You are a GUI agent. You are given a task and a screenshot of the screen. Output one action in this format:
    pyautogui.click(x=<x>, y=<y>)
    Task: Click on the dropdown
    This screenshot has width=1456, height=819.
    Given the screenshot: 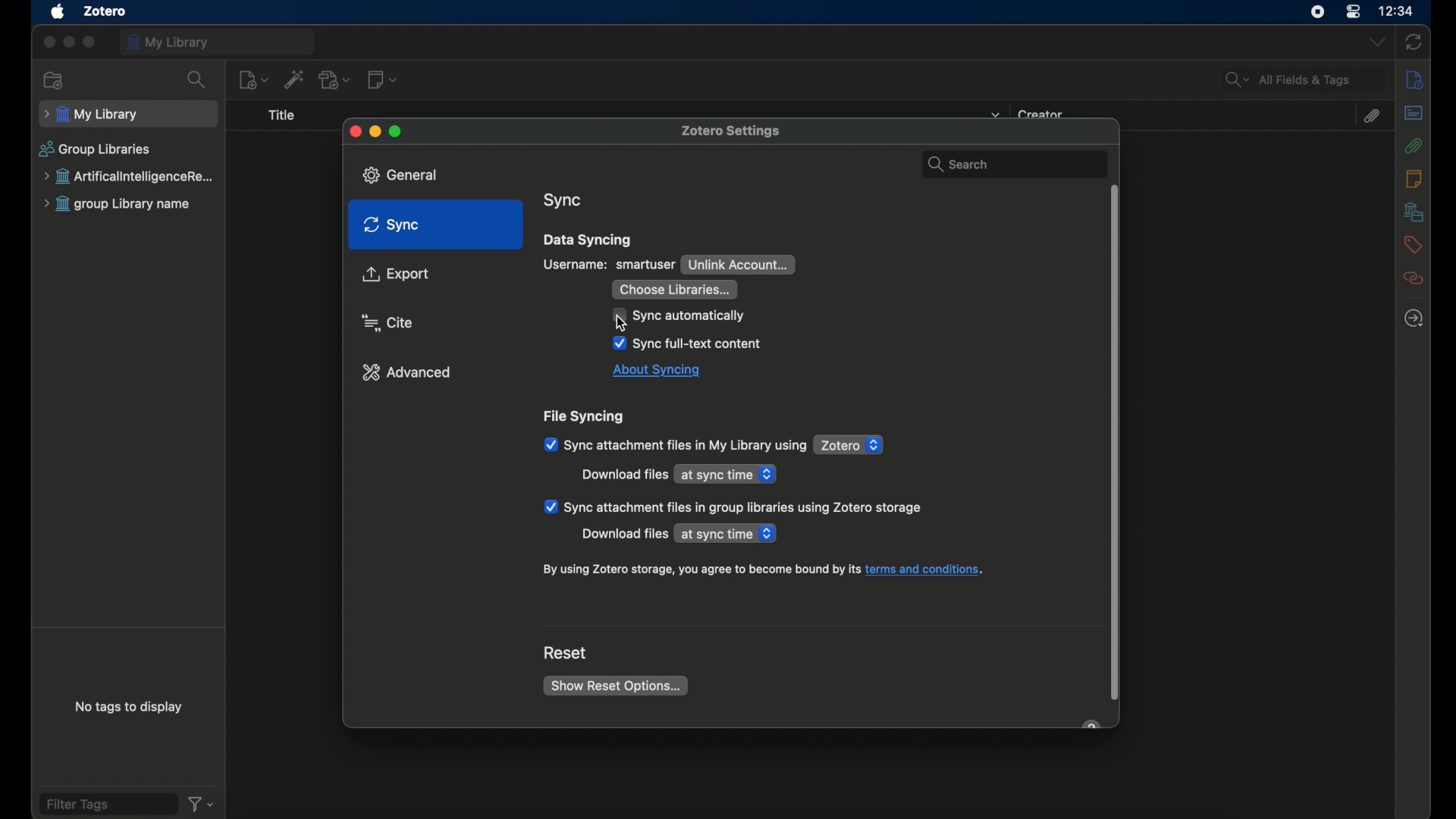 What is the action you would take?
    pyautogui.click(x=1375, y=43)
    